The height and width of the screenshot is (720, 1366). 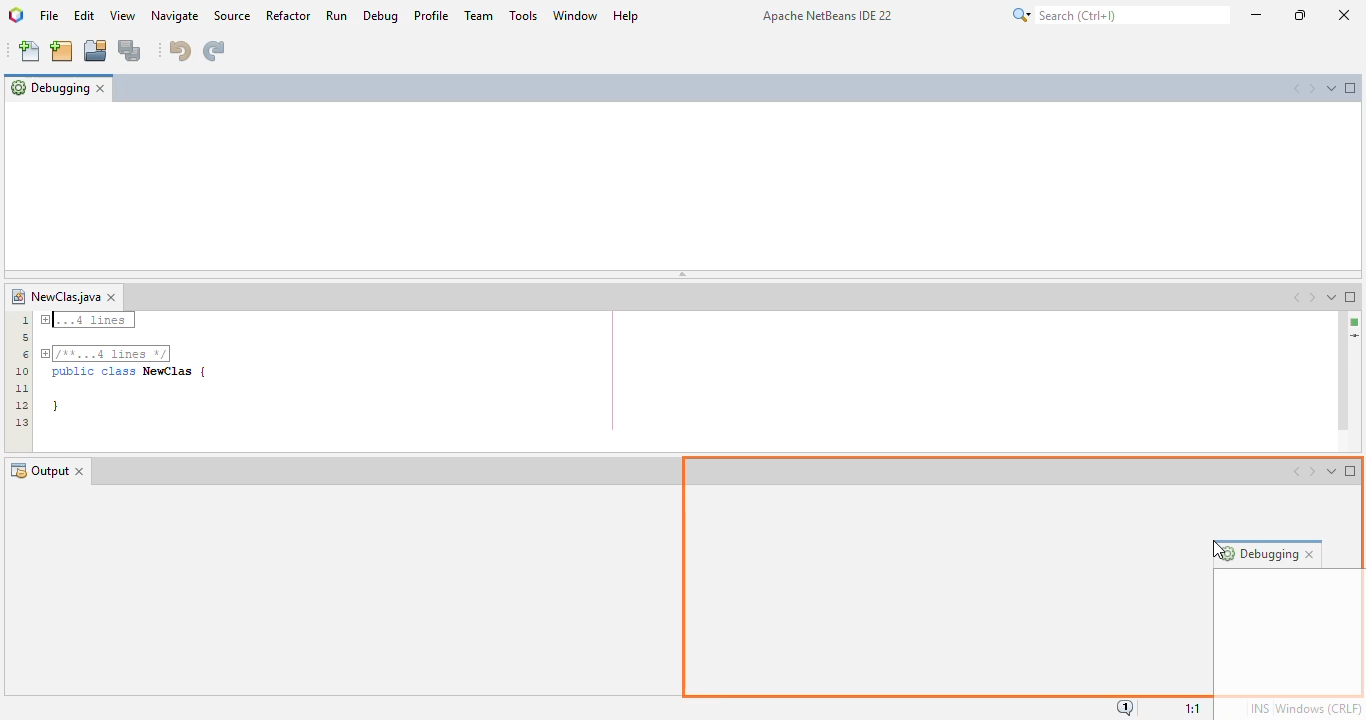 I want to click on scroll documents right, so click(x=1312, y=298).